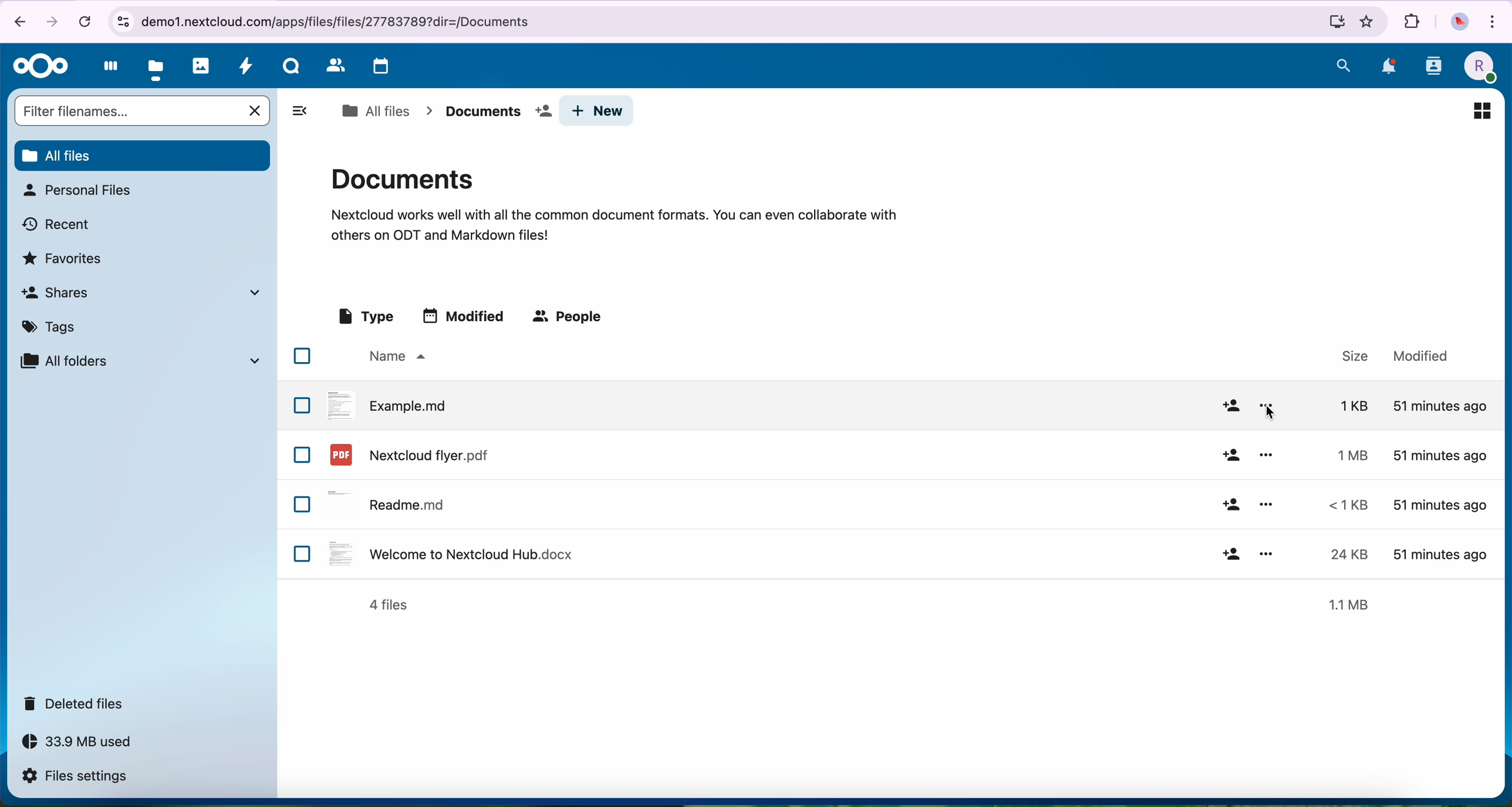 Image resolution: width=1512 pixels, height=807 pixels. Describe the element at coordinates (728, 22) in the screenshot. I see `url` at that location.